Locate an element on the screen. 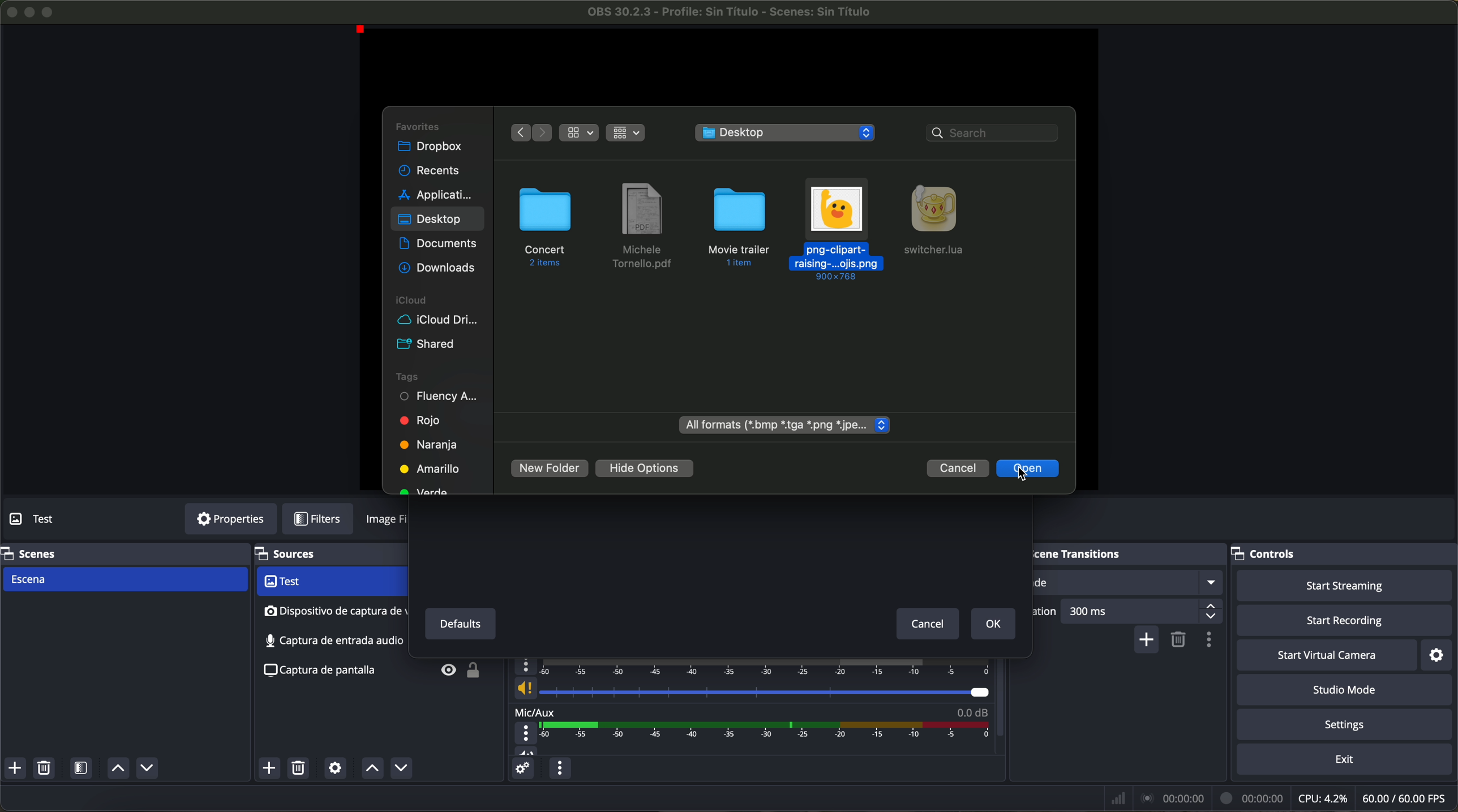 Image resolution: width=1458 pixels, height=812 pixels. image is located at coordinates (388, 522).